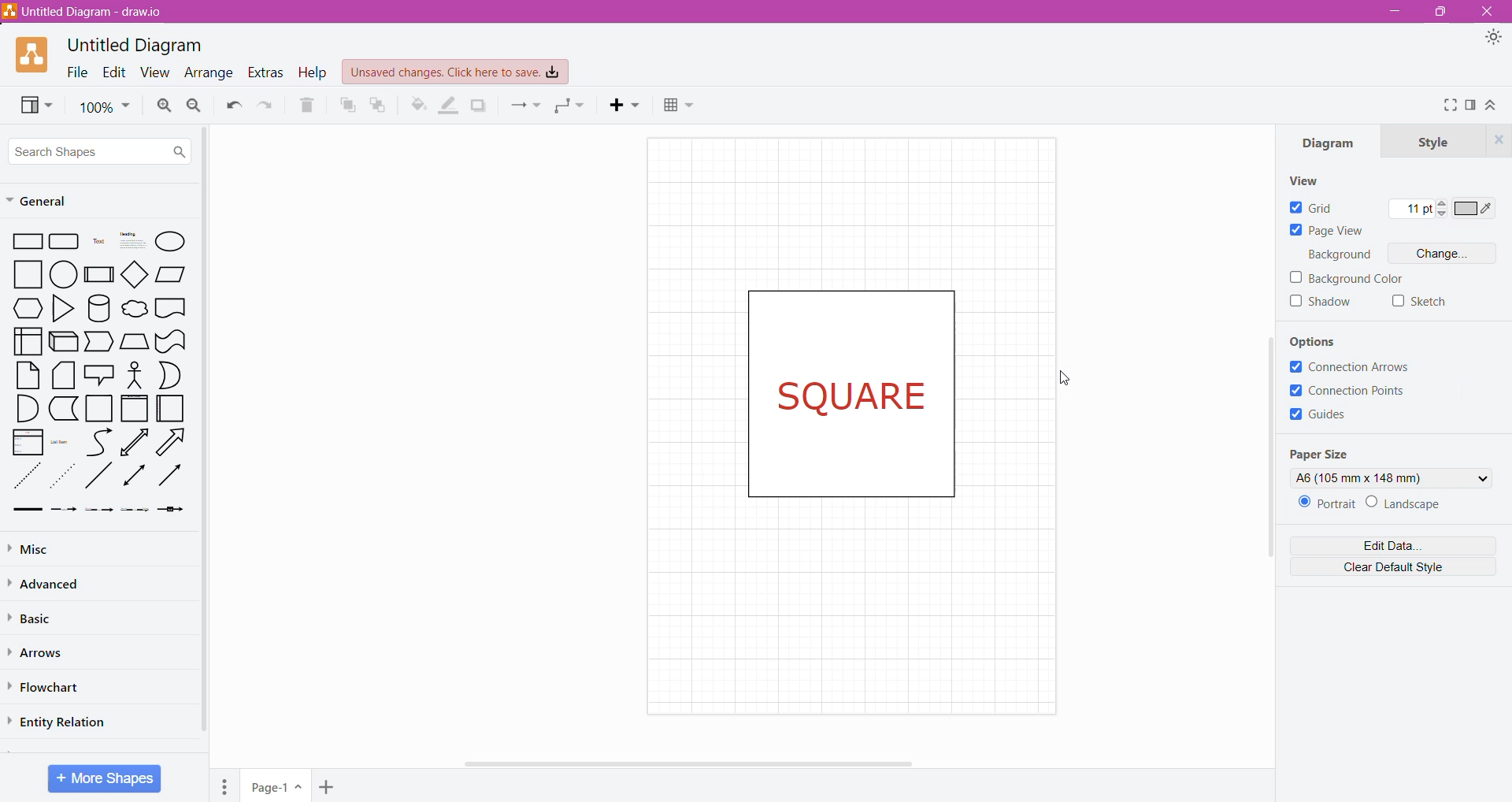 This screenshot has height=802, width=1512. What do you see at coordinates (676, 106) in the screenshot?
I see `Table` at bounding box center [676, 106].